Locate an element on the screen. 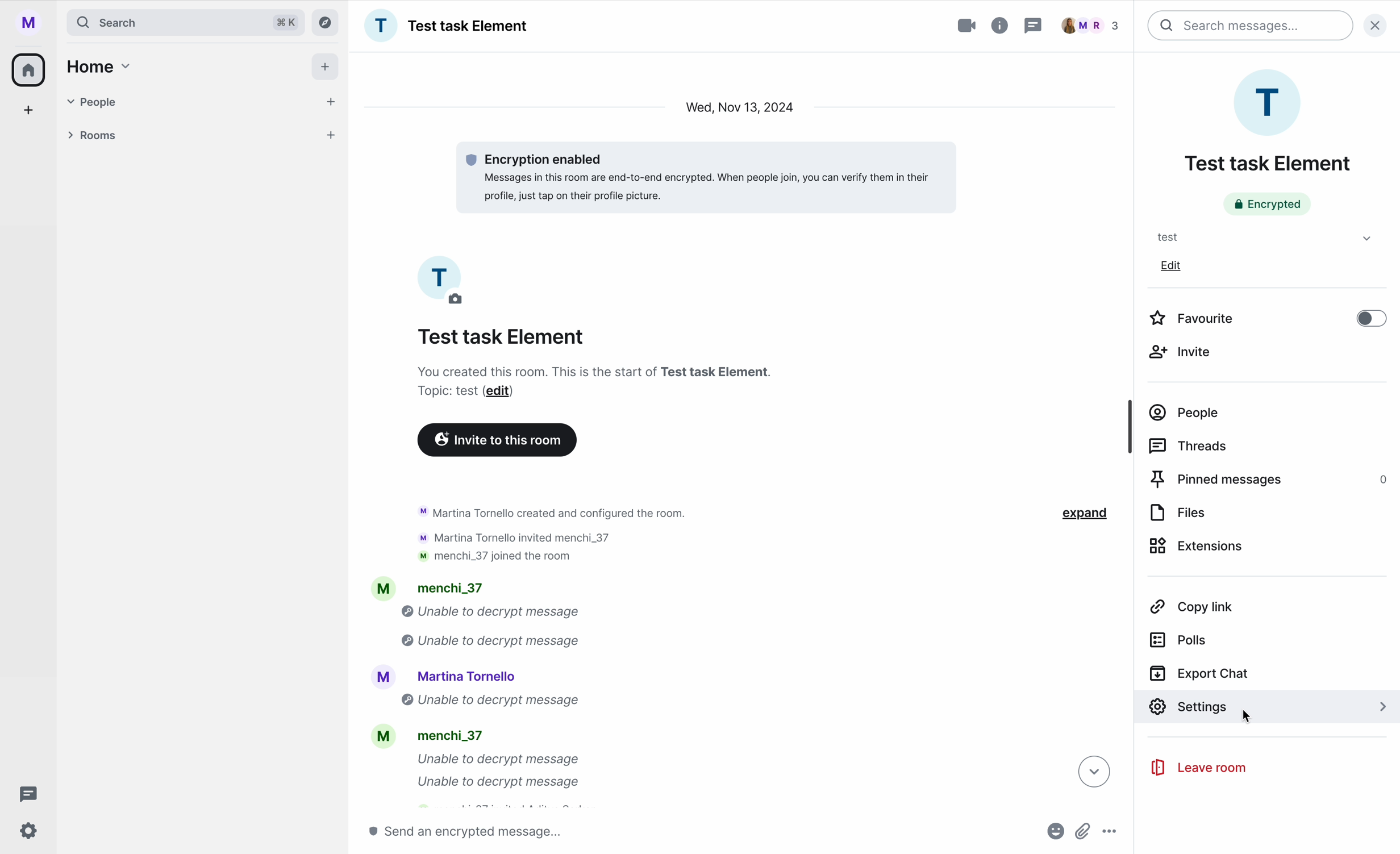 This screenshot has width=1400, height=854. people is located at coordinates (1095, 25).